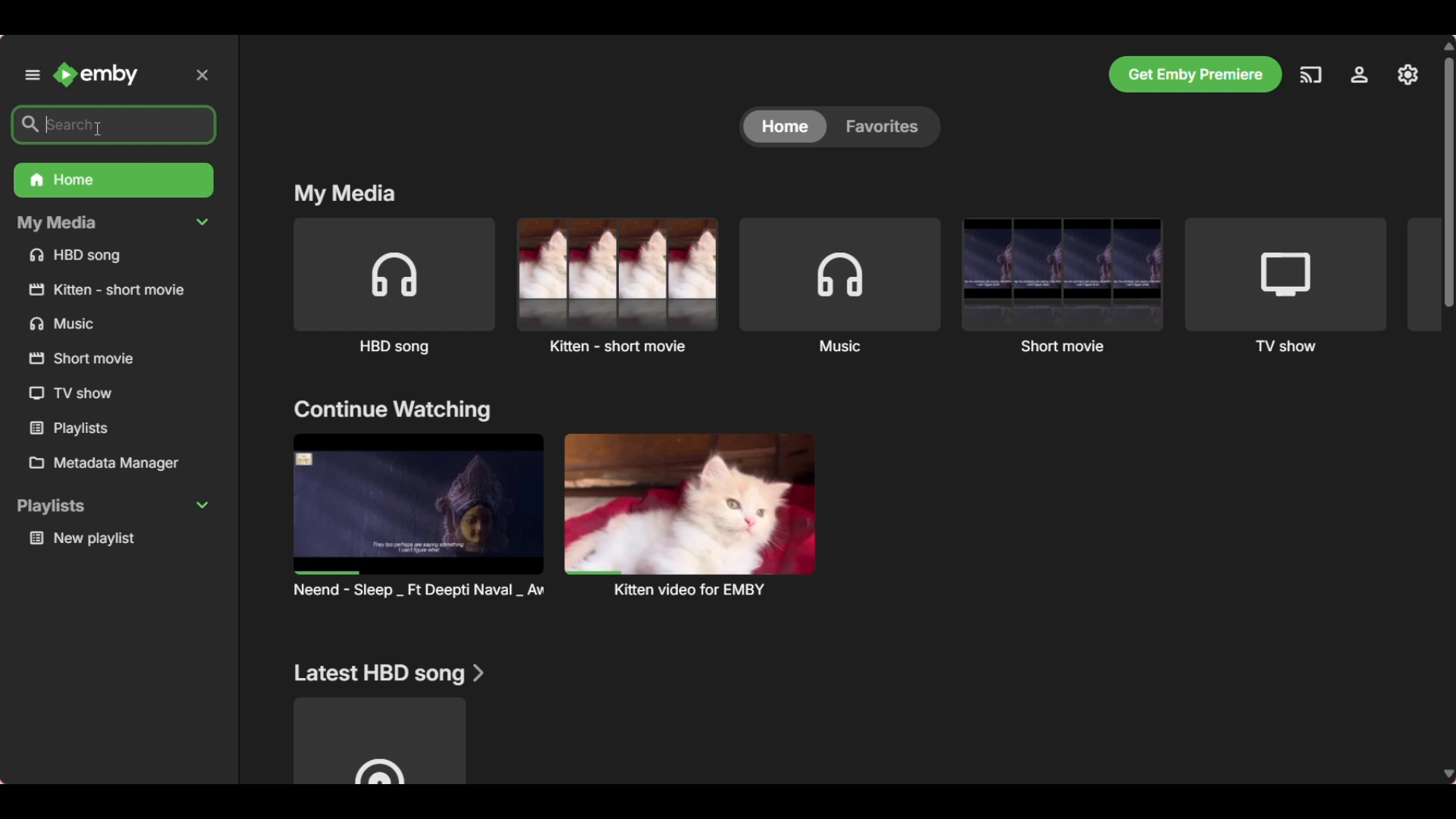 Image resolution: width=1456 pixels, height=819 pixels. Describe the element at coordinates (1063, 284) in the screenshot. I see `Short movie` at that location.